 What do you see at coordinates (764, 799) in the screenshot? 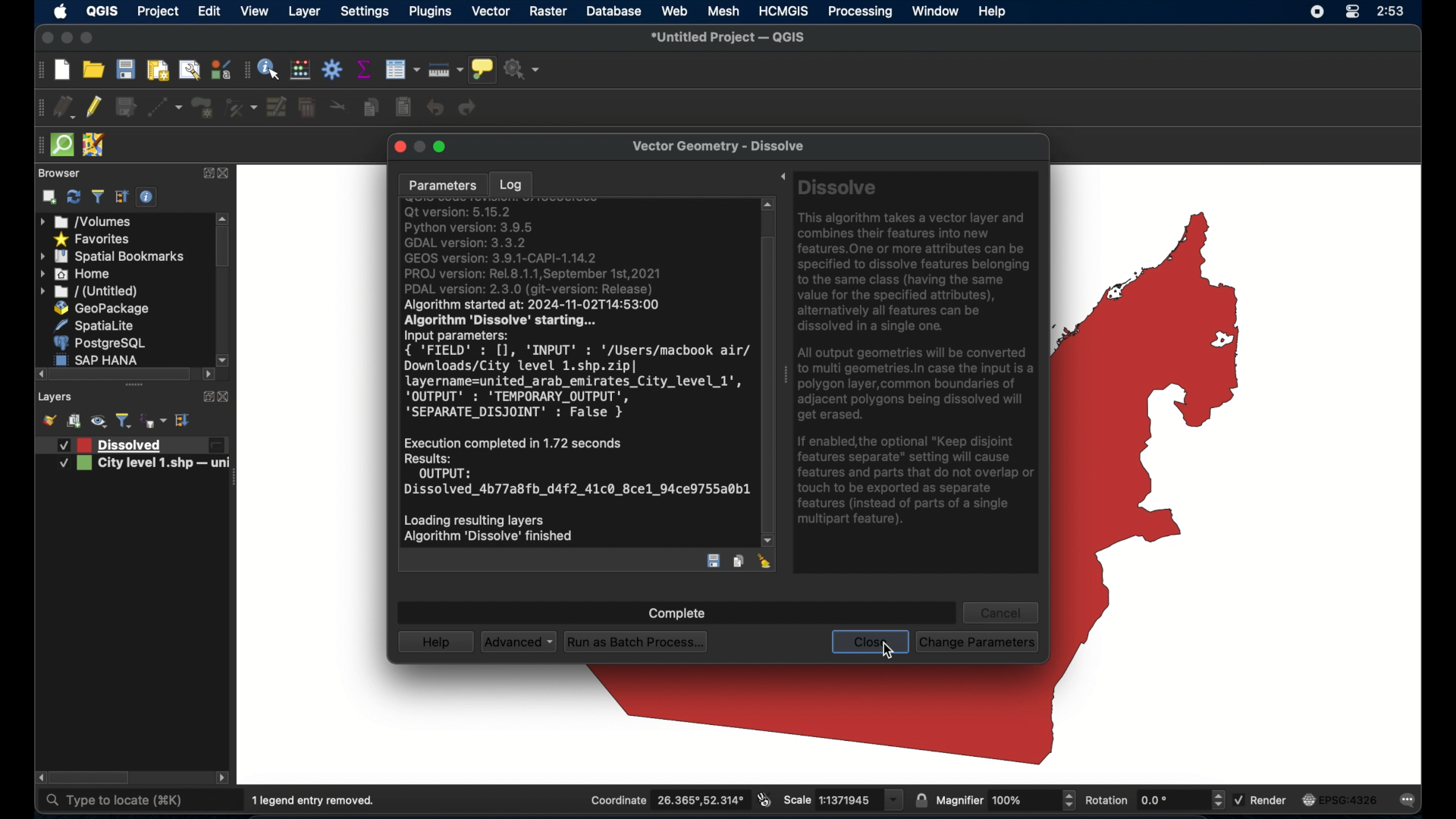
I see `toggle extents and mouse display position` at bounding box center [764, 799].